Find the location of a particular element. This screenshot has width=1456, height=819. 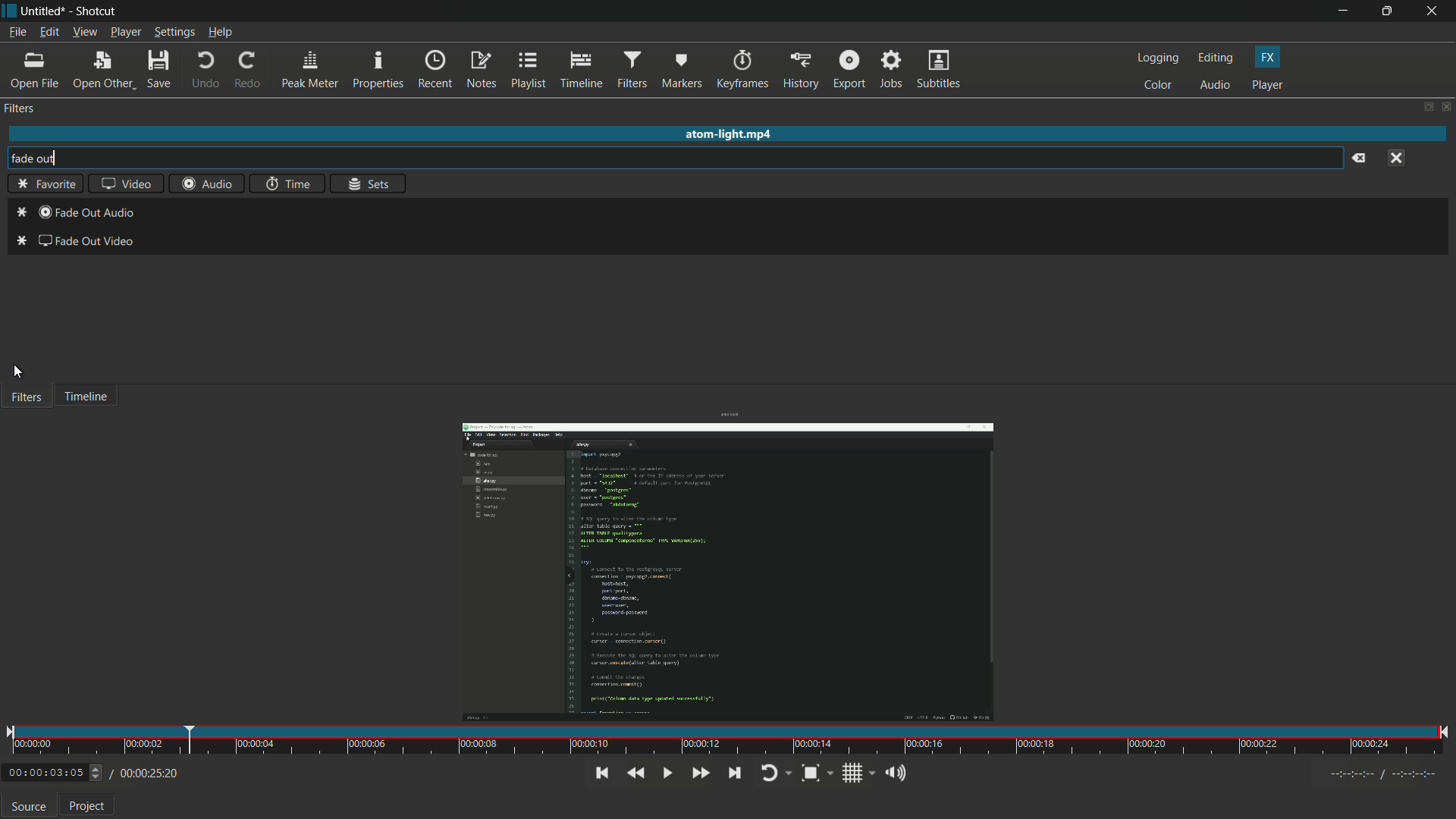

typing beam is located at coordinates (53, 158).